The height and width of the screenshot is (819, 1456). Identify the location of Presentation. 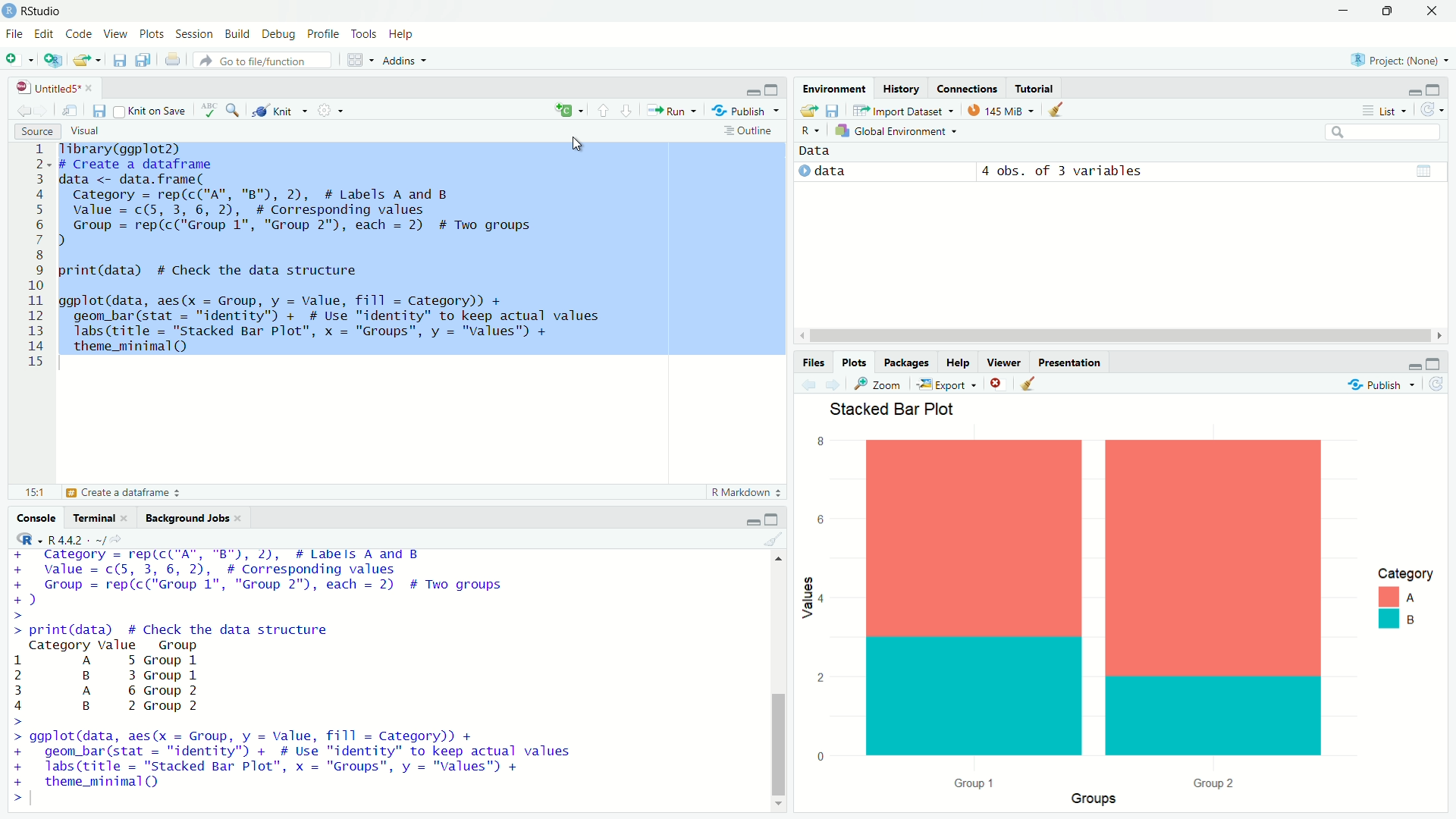
(1070, 362).